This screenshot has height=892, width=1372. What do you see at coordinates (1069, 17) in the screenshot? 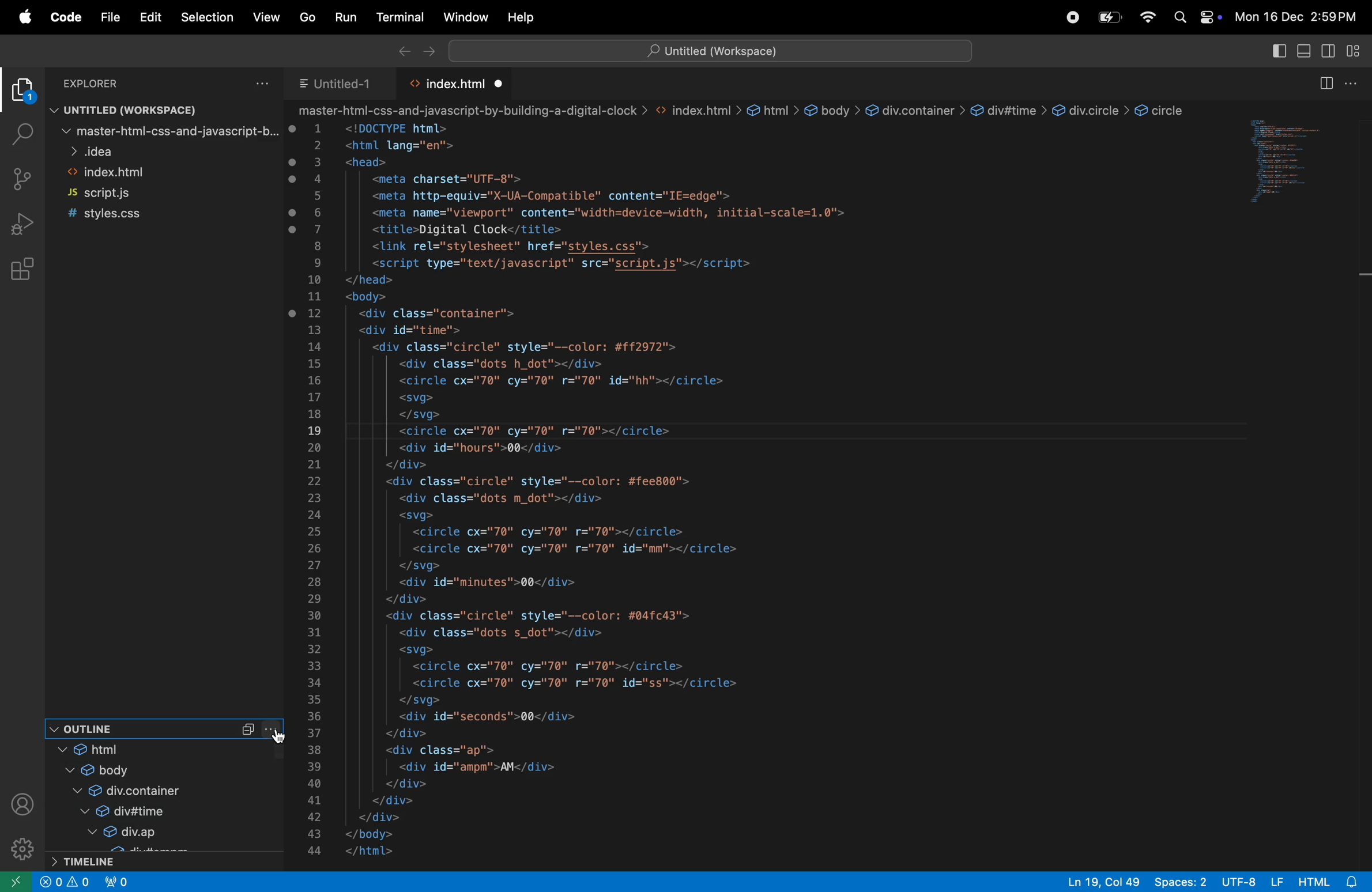
I see `record` at bounding box center [1069, 17].